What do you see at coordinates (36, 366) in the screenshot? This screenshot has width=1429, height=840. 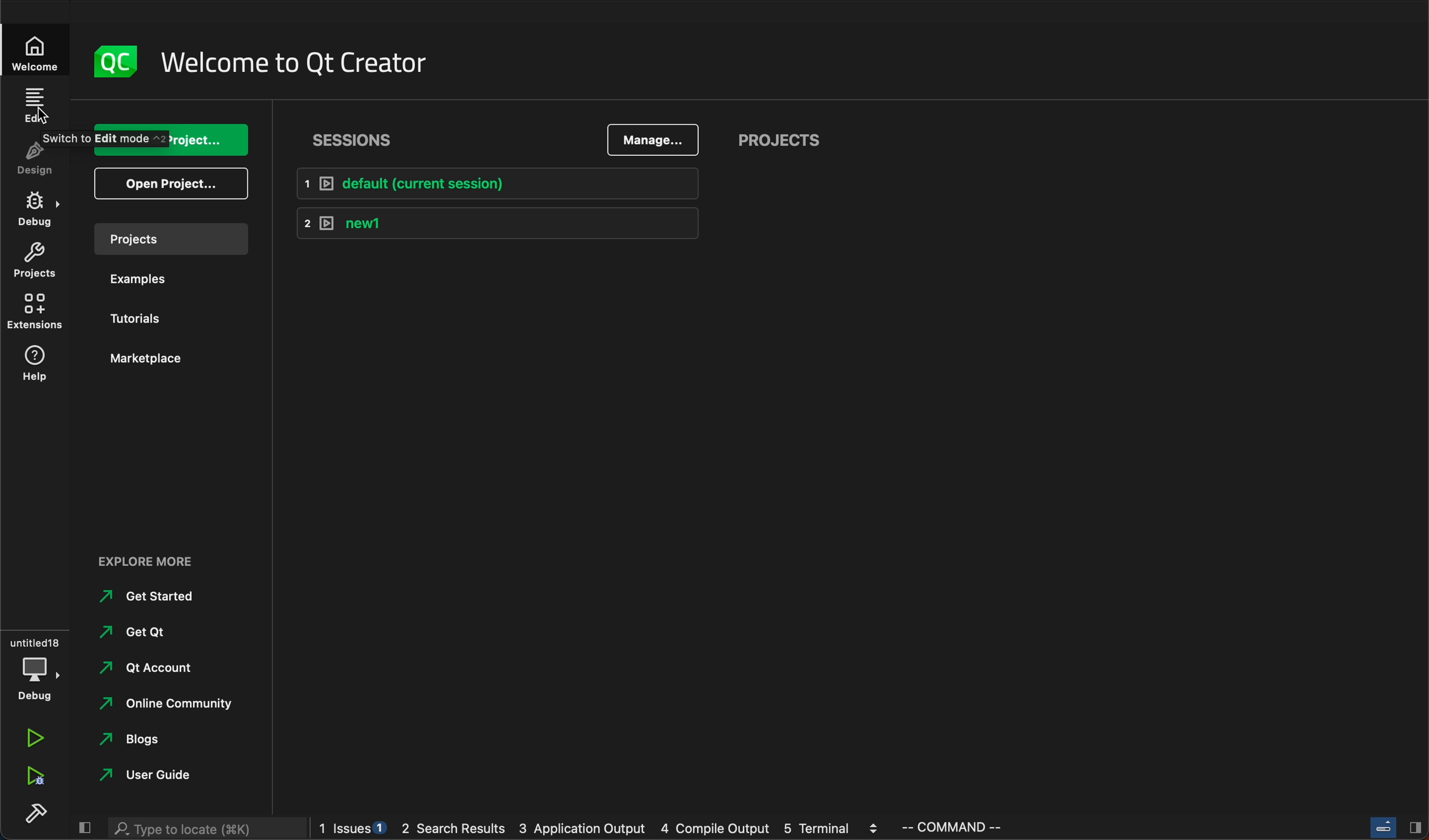 I see `help` at bounding box center [36, 366].